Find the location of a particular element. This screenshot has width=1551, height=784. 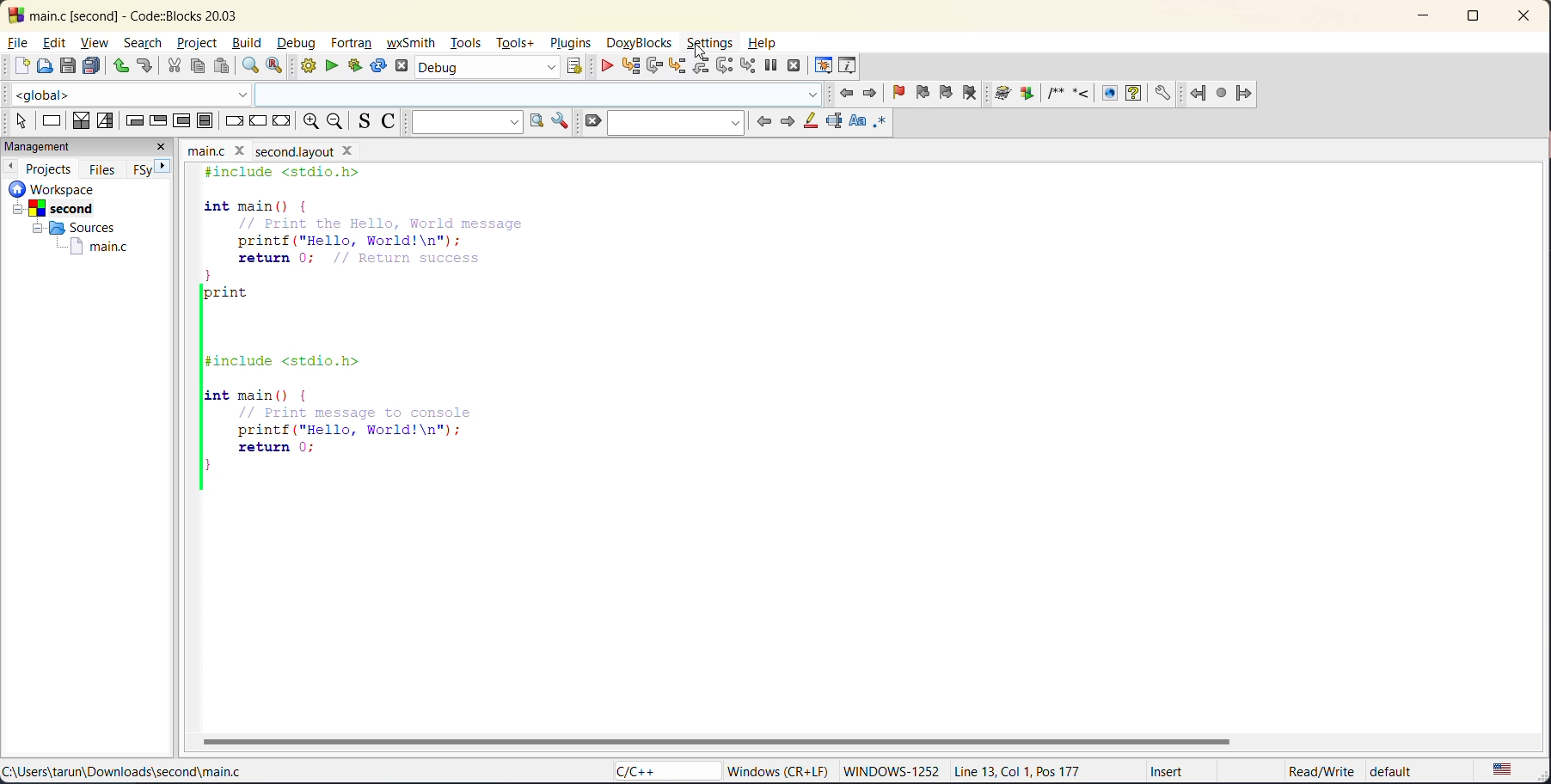

continue instruction is located at coordinates (259, 122).